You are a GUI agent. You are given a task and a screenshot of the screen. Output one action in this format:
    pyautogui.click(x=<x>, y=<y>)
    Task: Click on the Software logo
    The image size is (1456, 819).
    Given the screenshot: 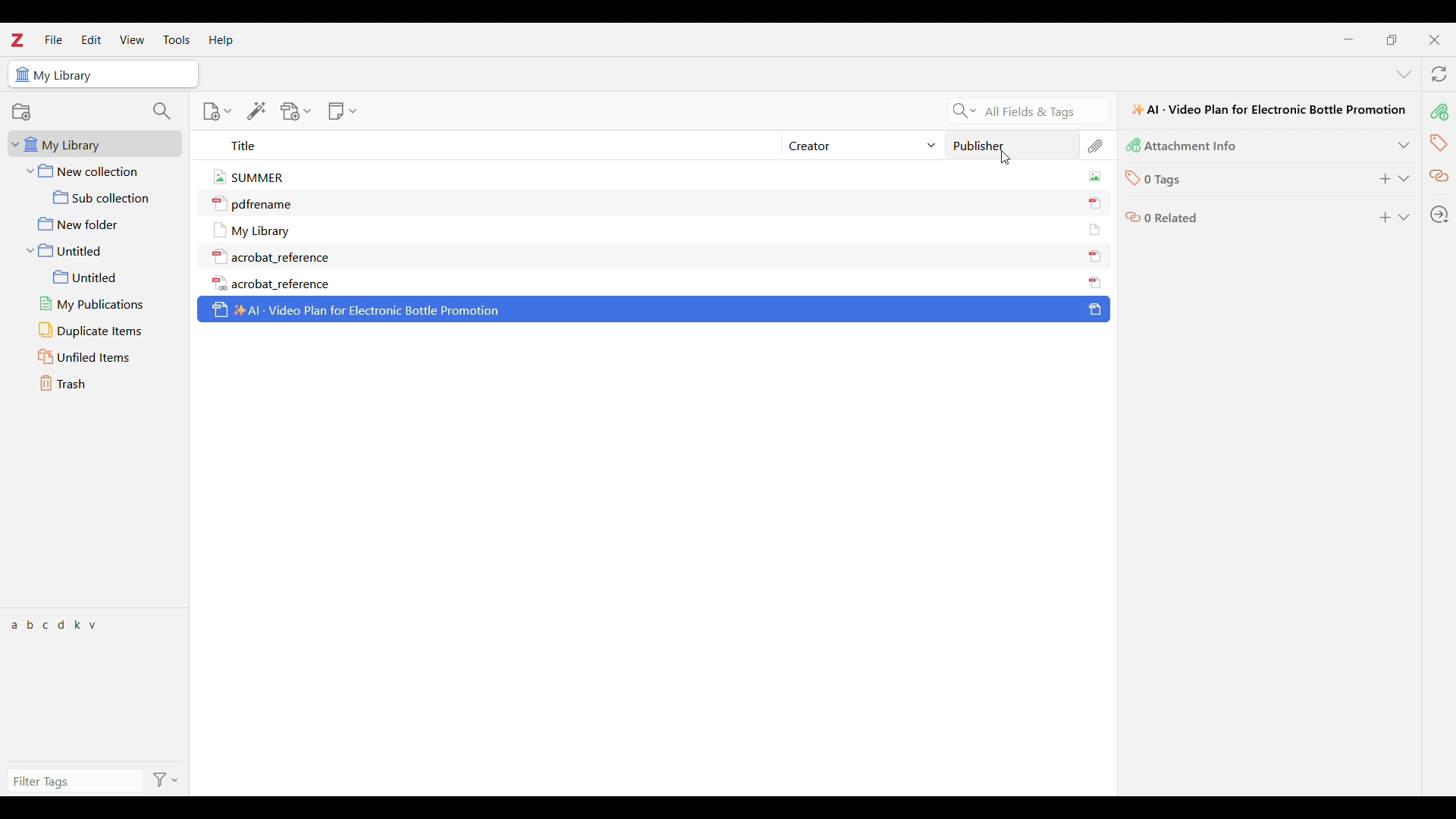 What is the action you would take?
    pyautogui.click(x=18, y=40)
    